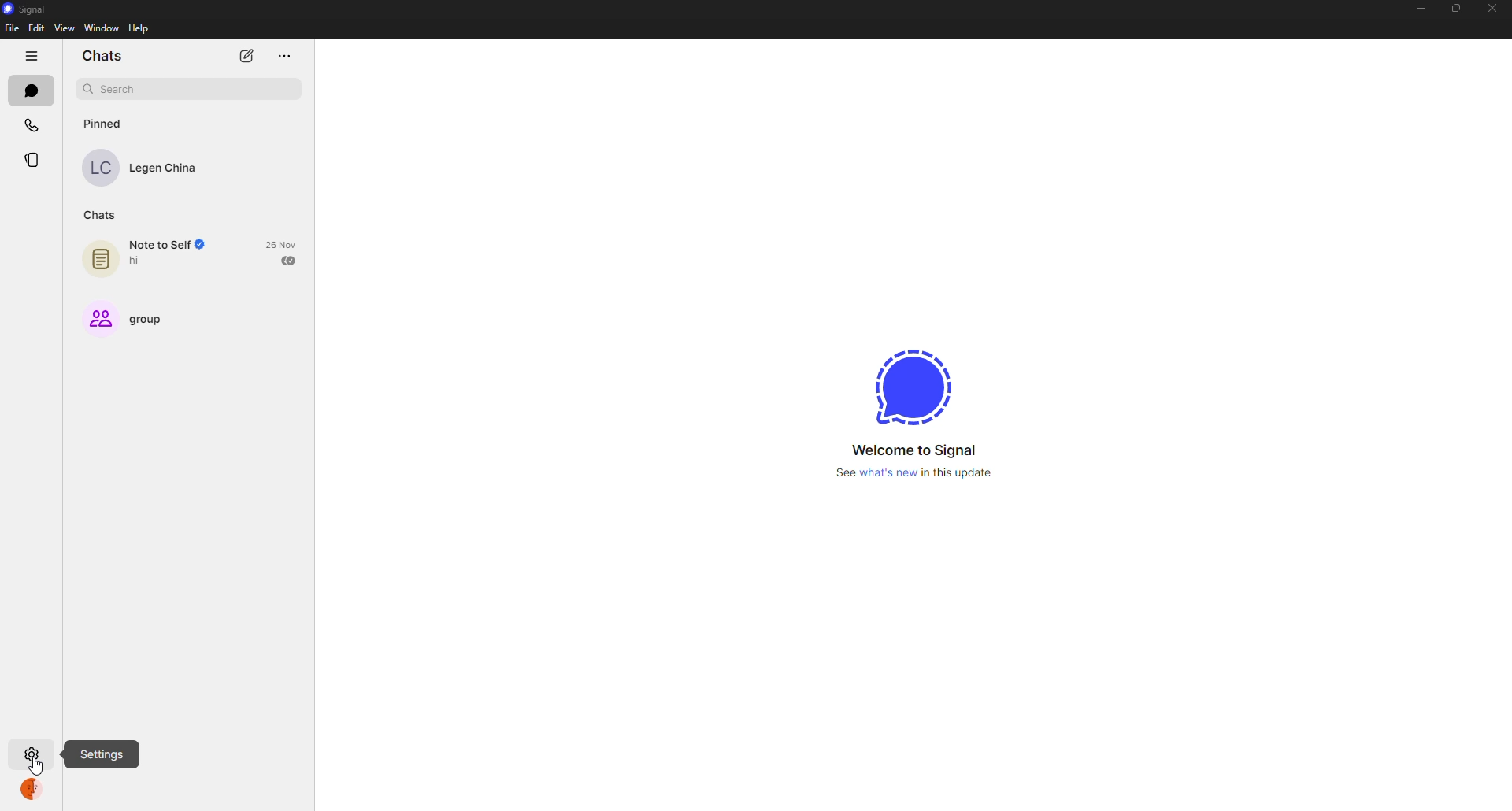  What do you see at coordinates (1419, 9) in the screenshot?
I see `minimize` at bounding box center [1419, 9].